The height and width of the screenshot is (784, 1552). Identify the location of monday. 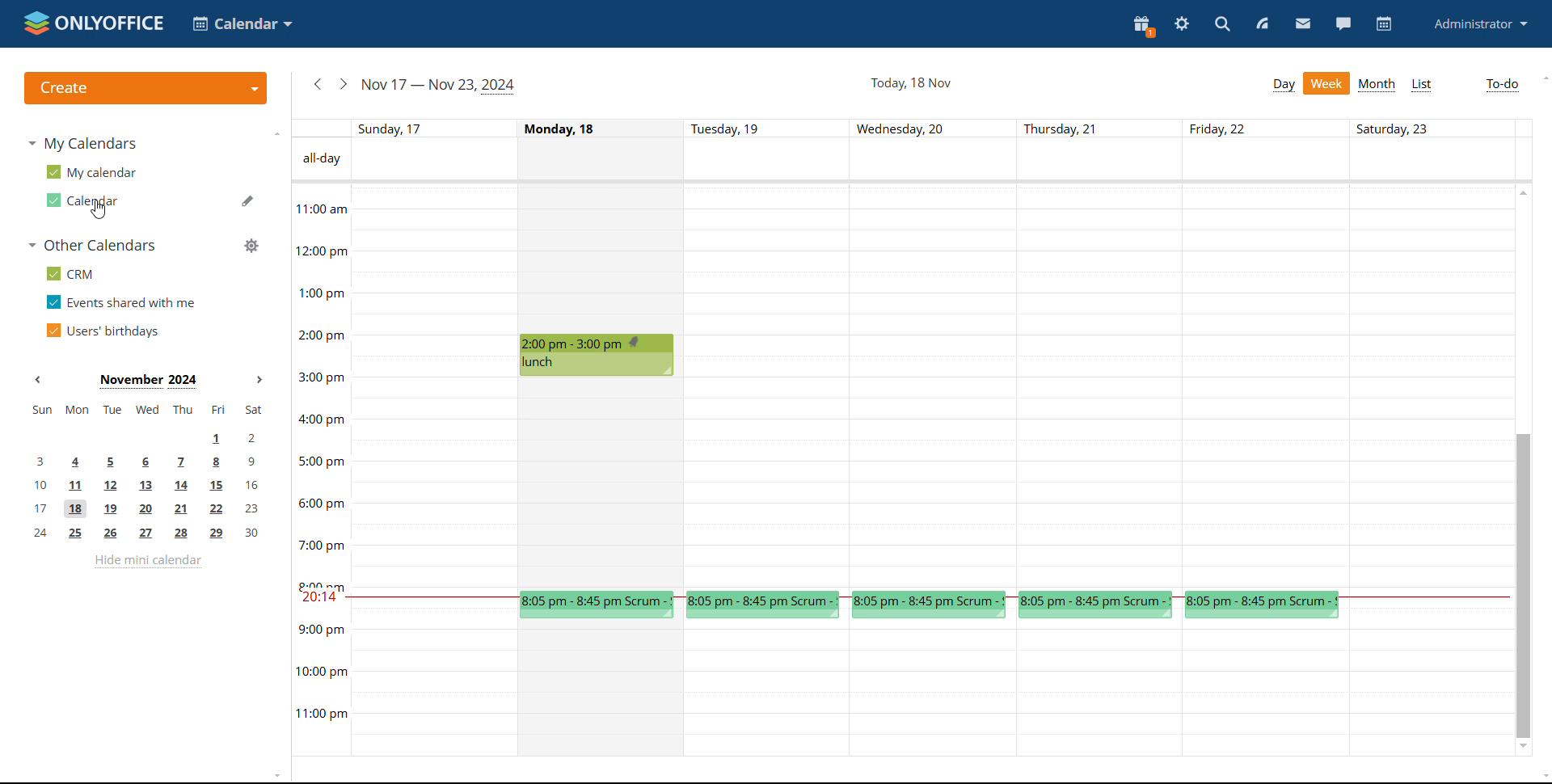
(601, 483).